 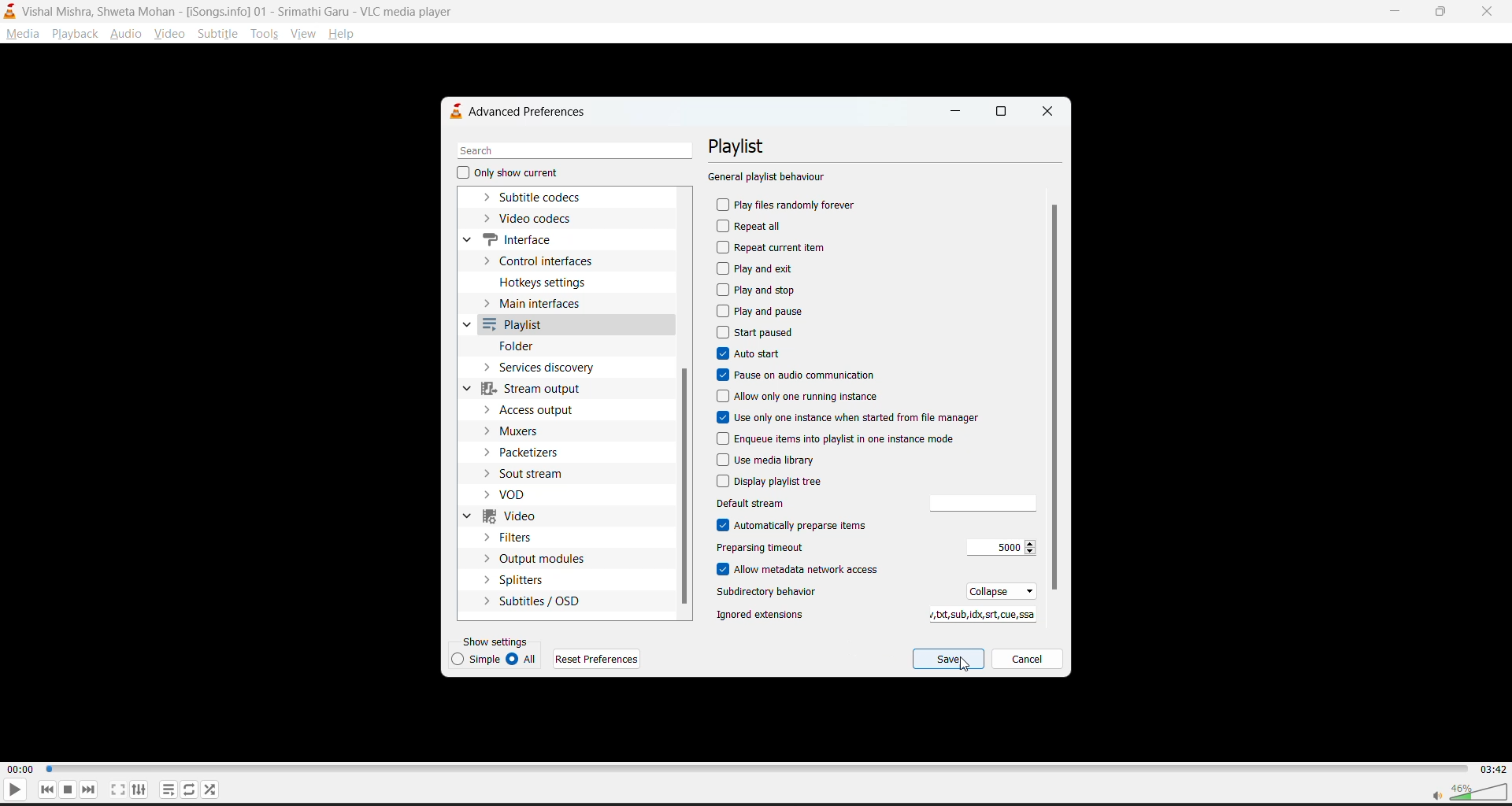 What do you see at coordinates (754, 767) in the screenshot?
I see `track slider` at bounding box center [754, 767].